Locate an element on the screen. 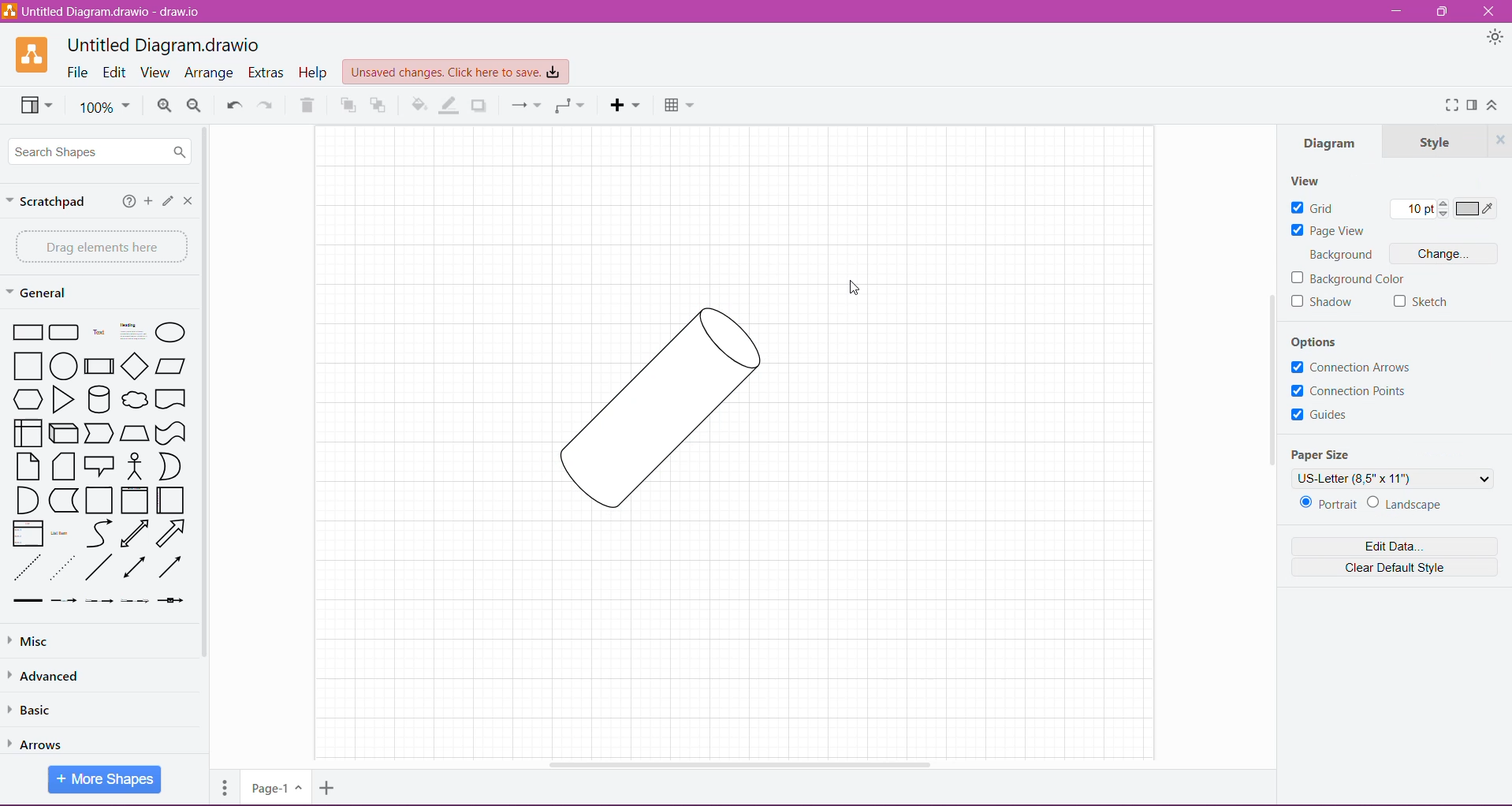  Diagram is located at coordinates (1328, 145).